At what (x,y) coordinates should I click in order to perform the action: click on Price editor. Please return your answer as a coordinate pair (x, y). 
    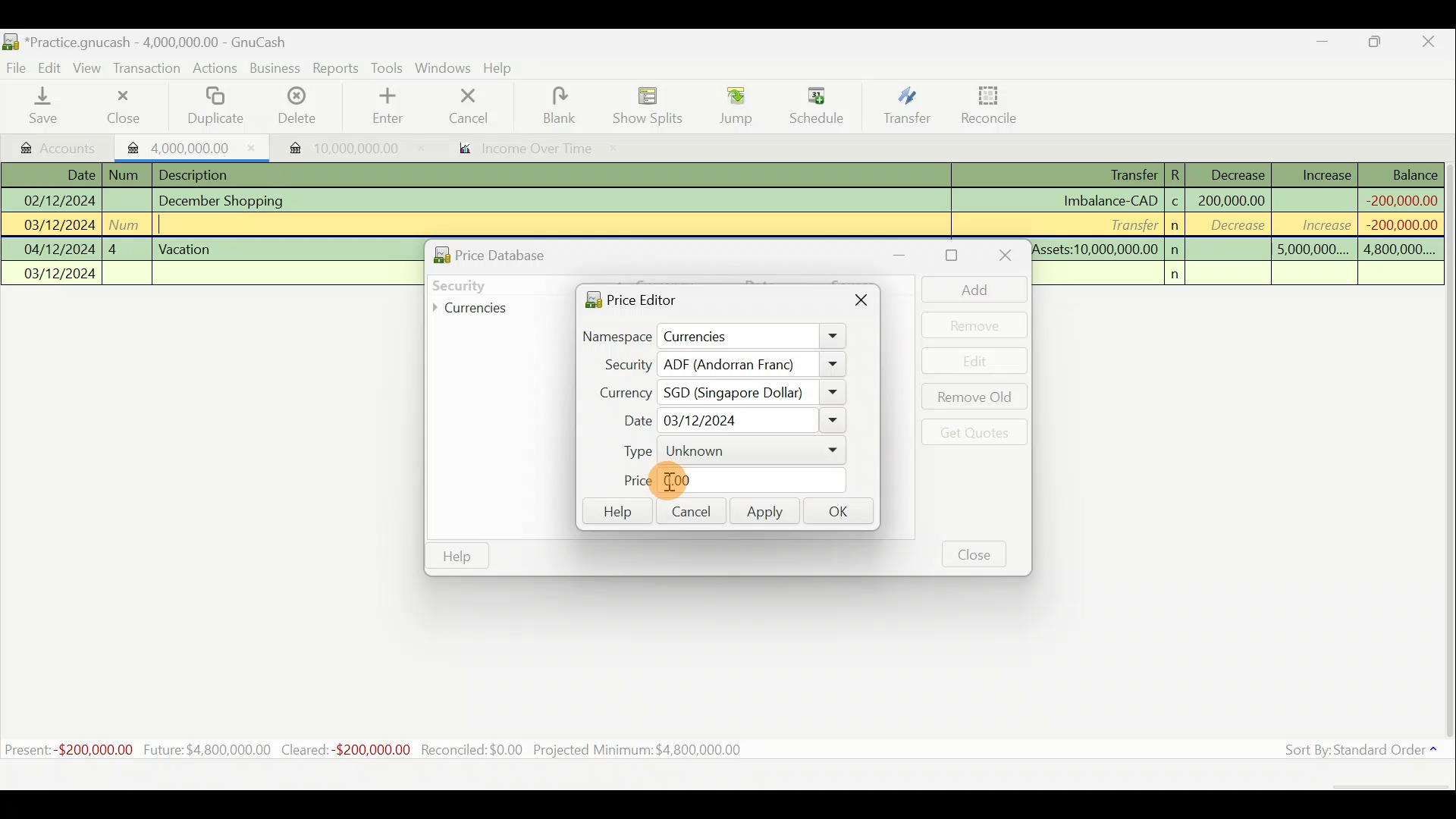
    Looking at the image, I should click on (626, 299).